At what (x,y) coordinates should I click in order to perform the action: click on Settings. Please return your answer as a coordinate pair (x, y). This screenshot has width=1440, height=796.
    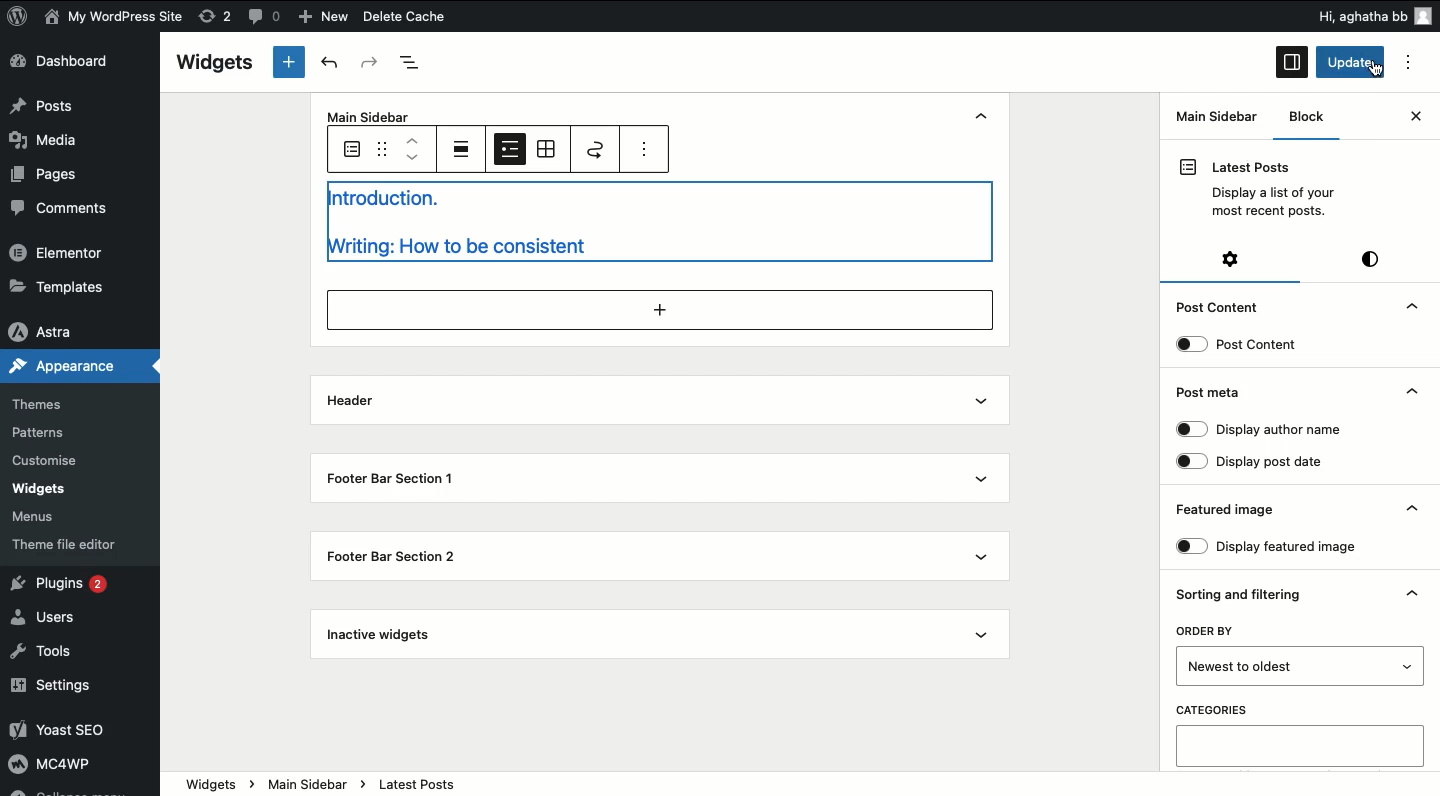
    Looking at the image, I should click on (1237, 260).